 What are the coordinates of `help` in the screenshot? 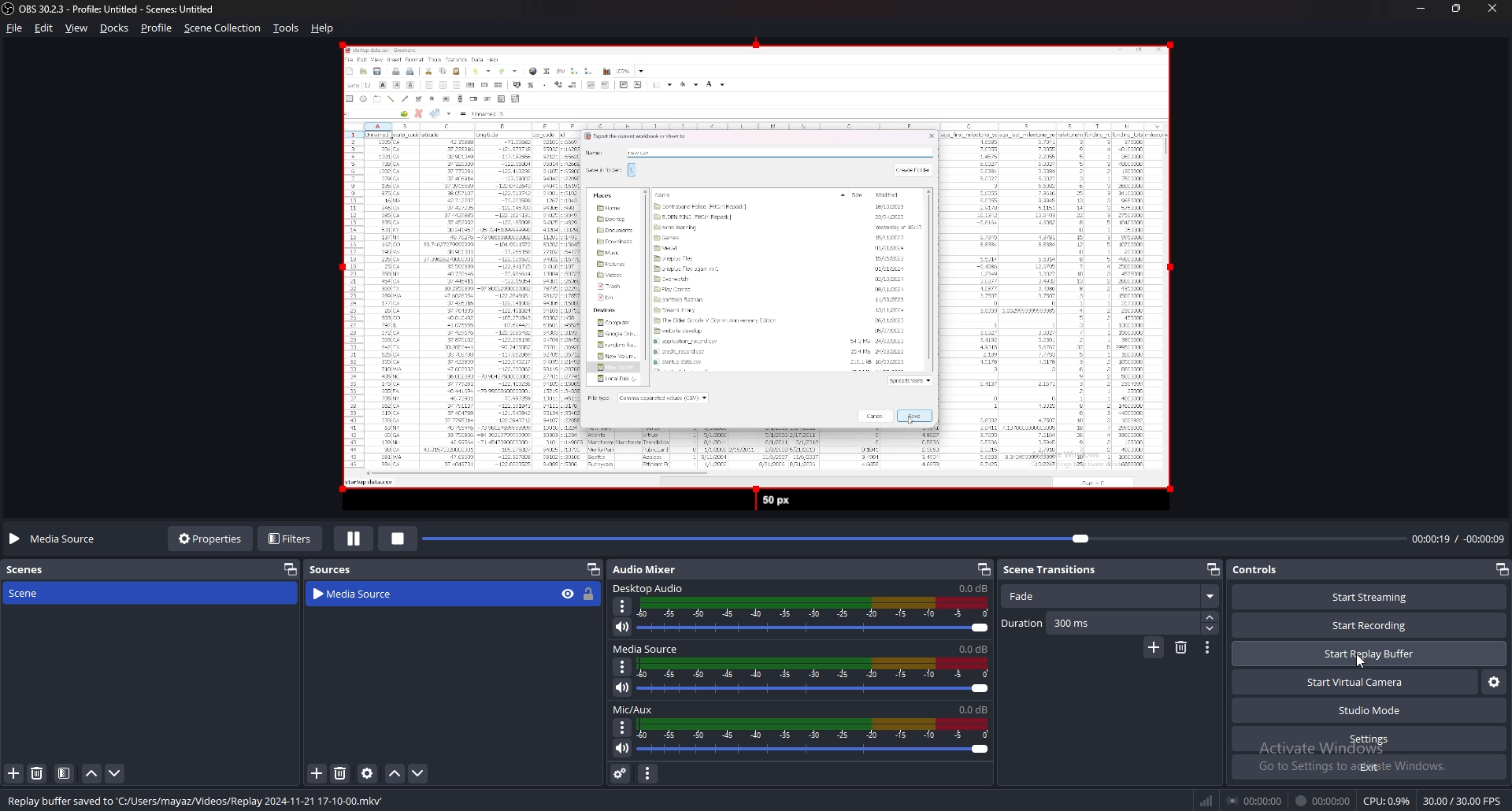 It's located at (324, 28).